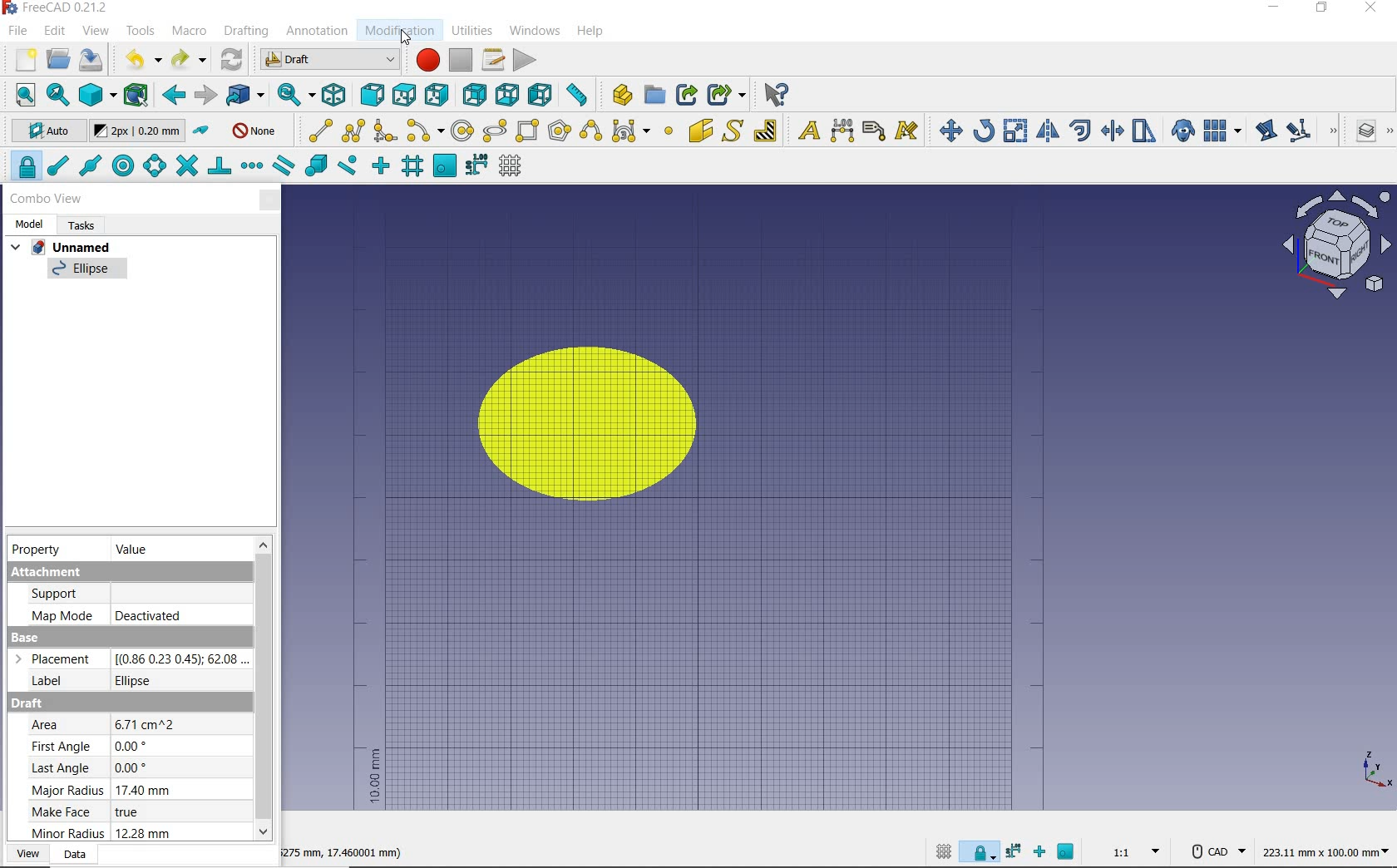  What do you see at coordinates (96, 31) in the screenshot?
I see `view` at bounding box center [96, 31].